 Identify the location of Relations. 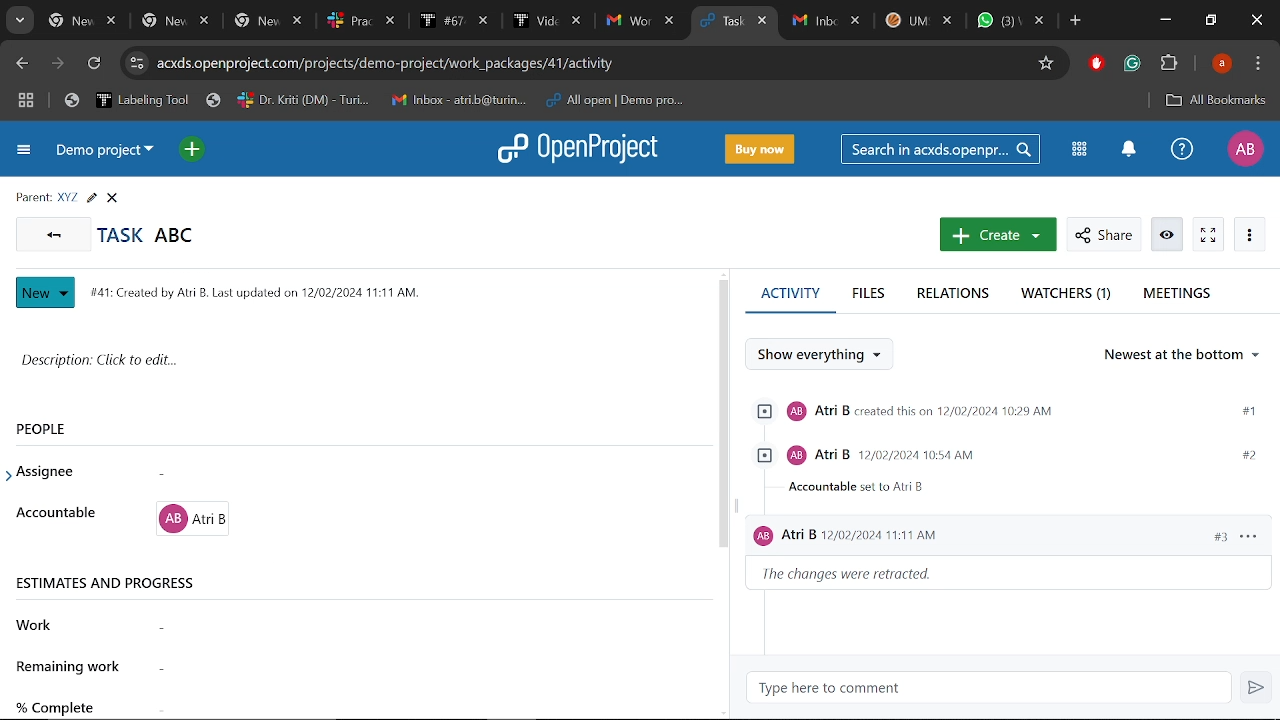
(956, 294).